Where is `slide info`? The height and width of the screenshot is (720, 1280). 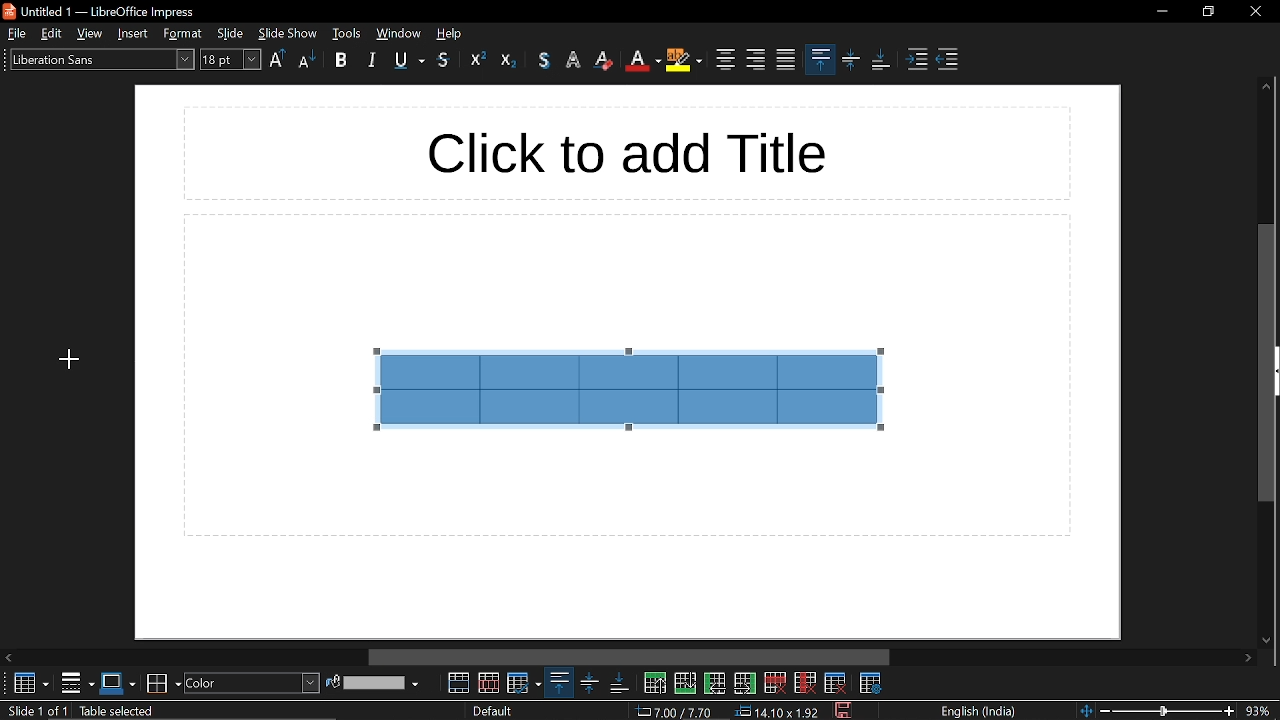 slide info is located at coordinates (181, 711).